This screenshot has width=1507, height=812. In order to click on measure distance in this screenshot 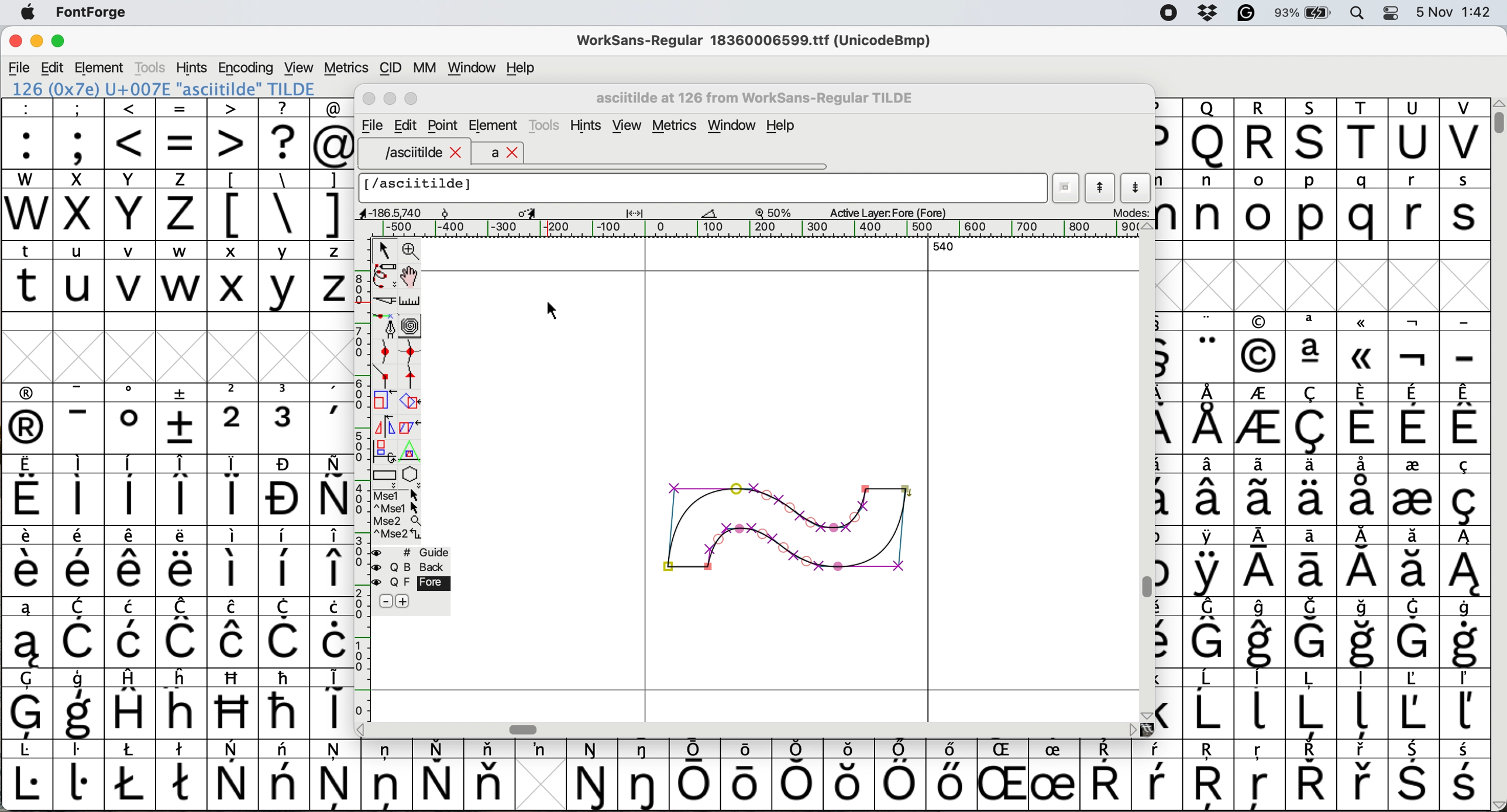, I will do `click(411, 301)`.